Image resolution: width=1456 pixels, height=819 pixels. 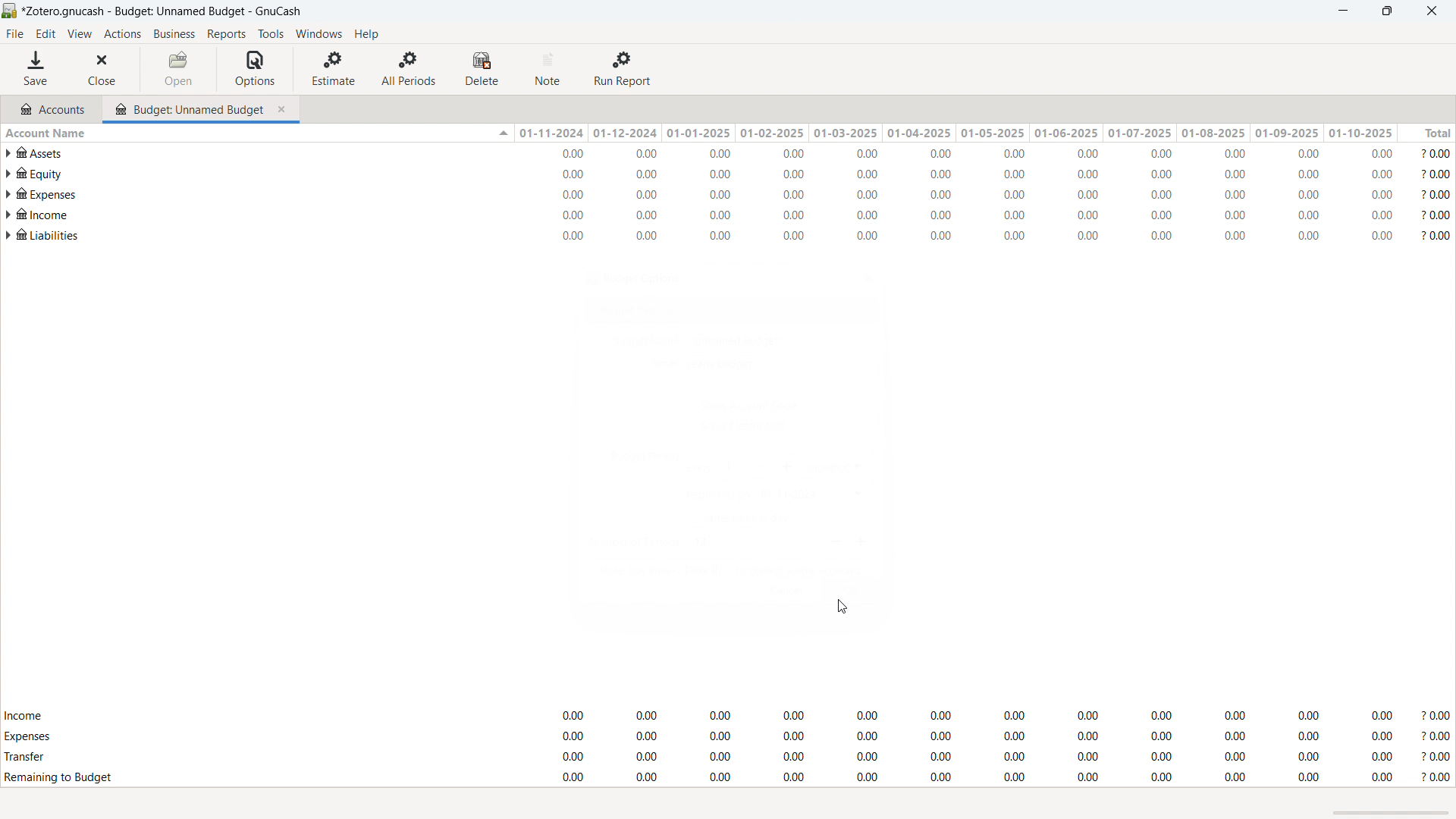 What do you see at coordinates (227, 34) in the screenshot?
I see `reports` at bounding box center [227, 34].